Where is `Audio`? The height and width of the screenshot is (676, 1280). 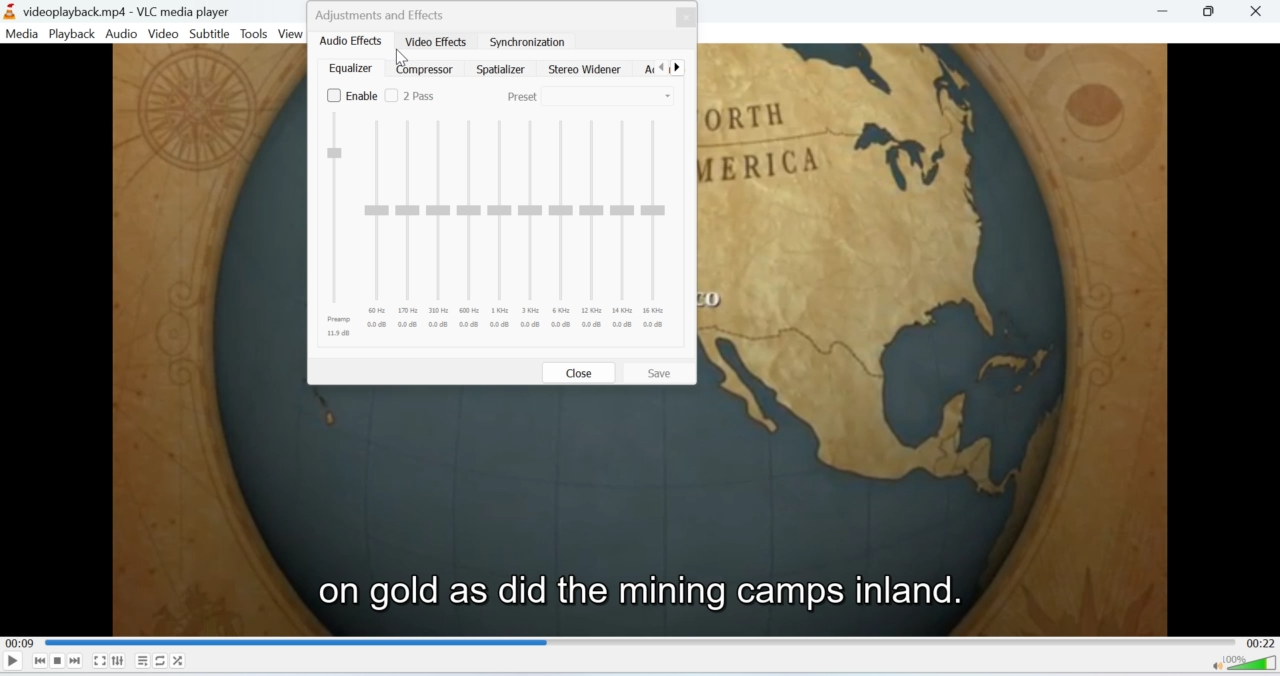 Audio is located at coordinates (122, 33).